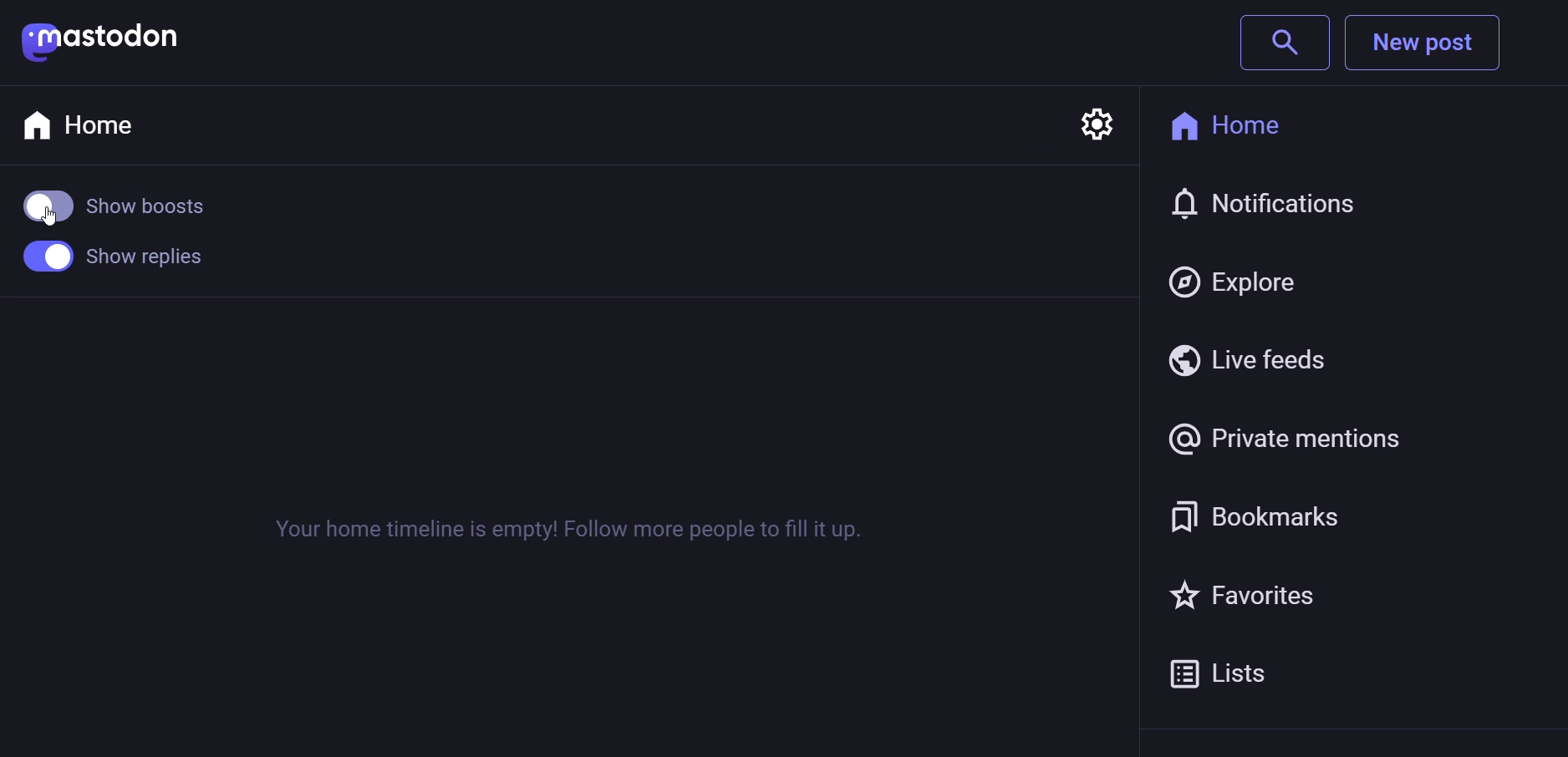 The width and height of the screenshot is (1568, 757). Describe the element at coordinates (1246, 124) in the screenshot. I see `home` at that location.